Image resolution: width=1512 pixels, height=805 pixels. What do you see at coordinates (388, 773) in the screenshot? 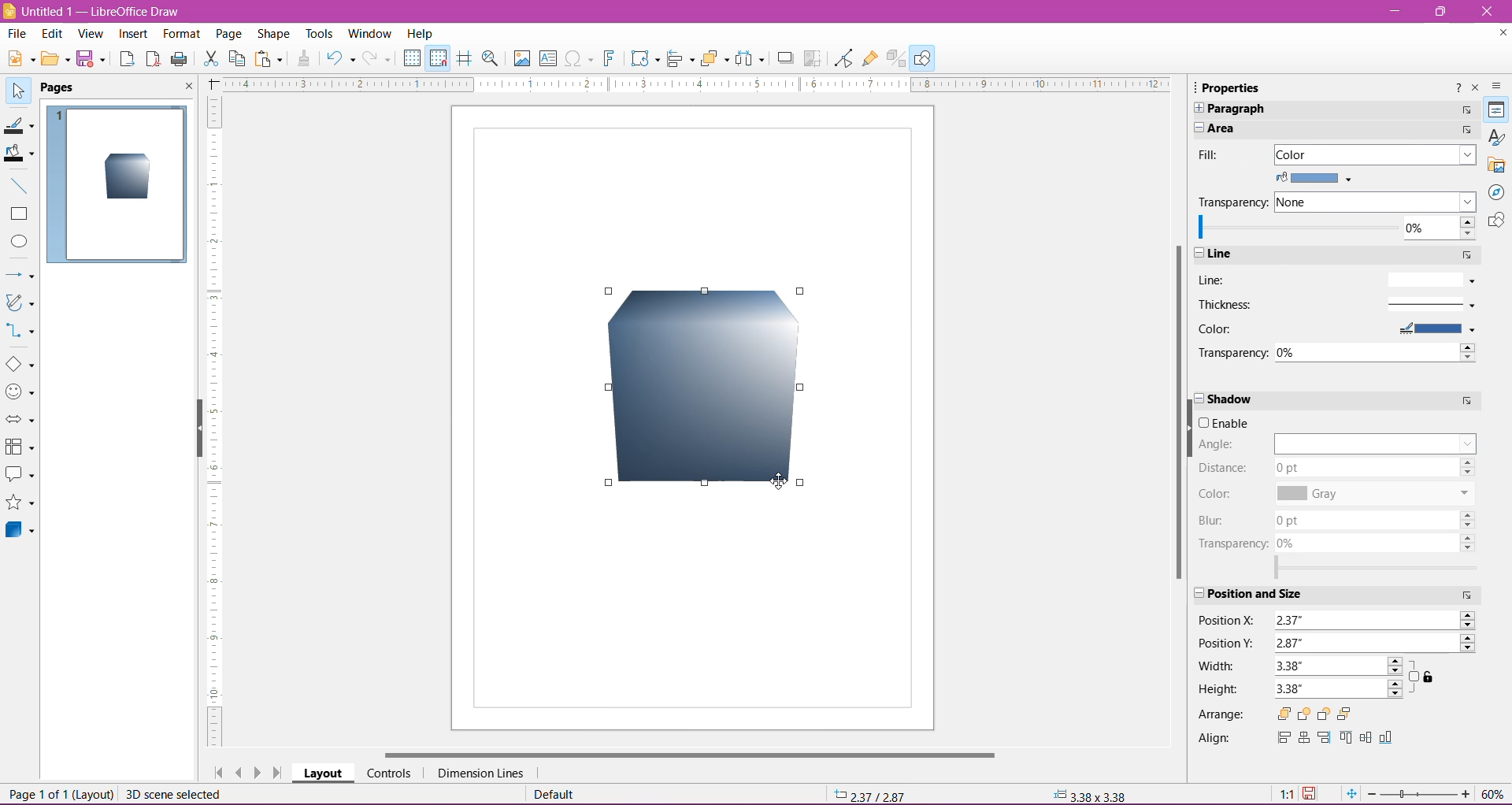
I see `Controls` at bounding box center [388, 773].